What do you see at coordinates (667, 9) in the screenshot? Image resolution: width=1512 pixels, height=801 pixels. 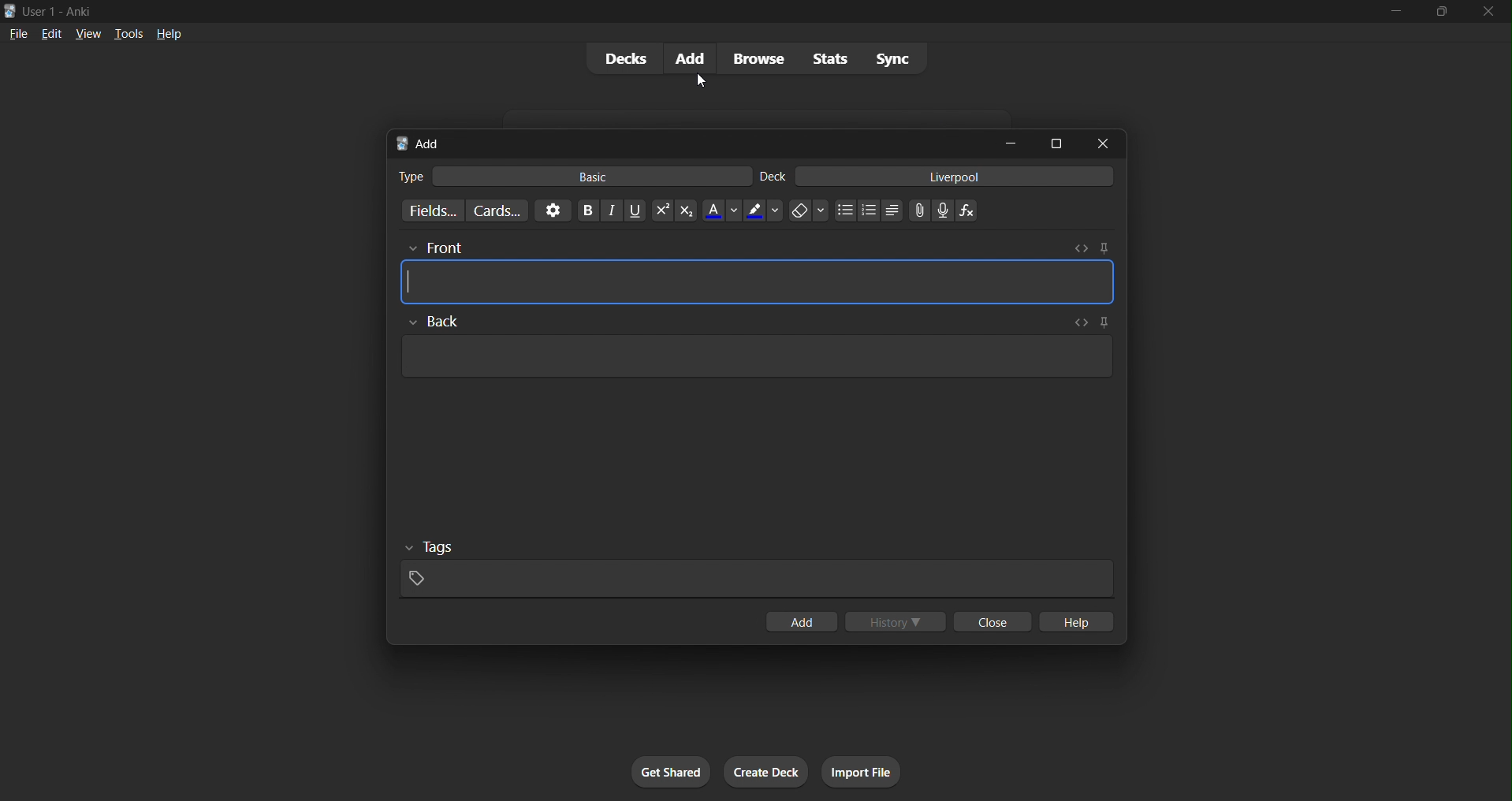 I see `title bar` at bounding box center [667, 9].